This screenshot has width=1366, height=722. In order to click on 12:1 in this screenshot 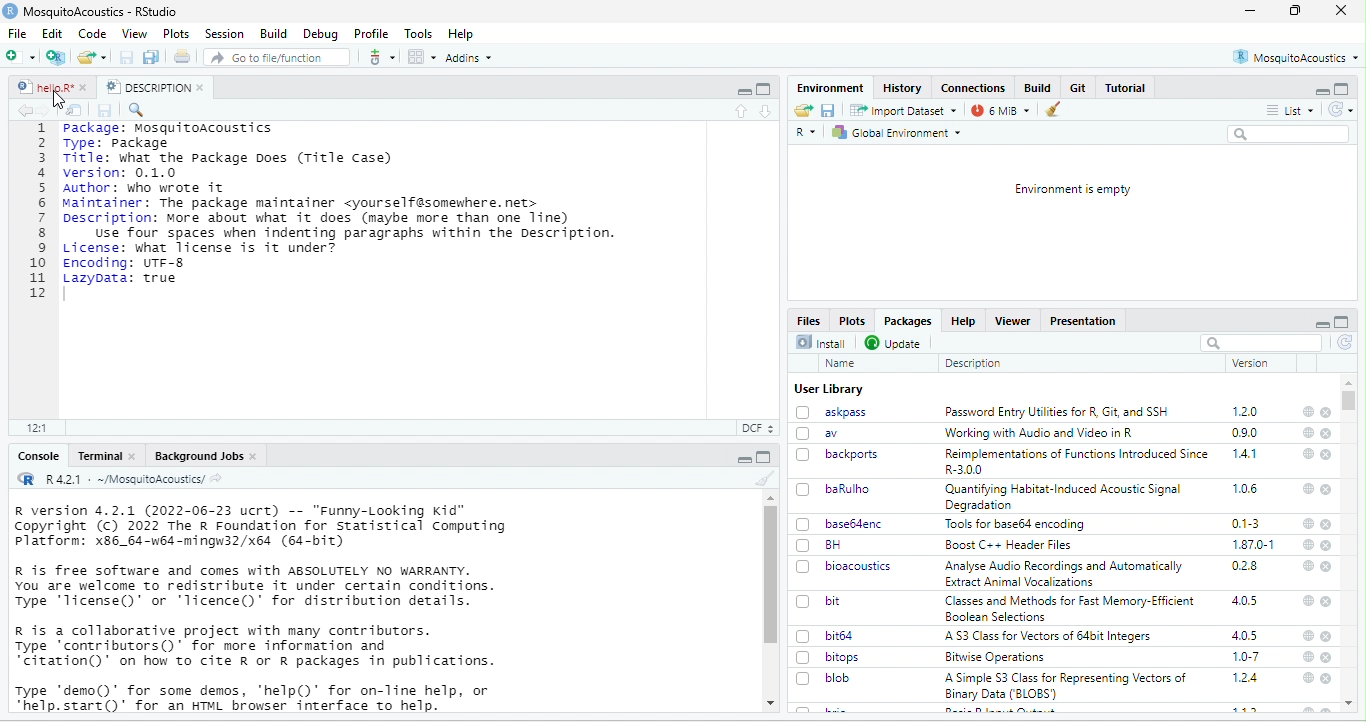, I will do `click(40, 427)`.